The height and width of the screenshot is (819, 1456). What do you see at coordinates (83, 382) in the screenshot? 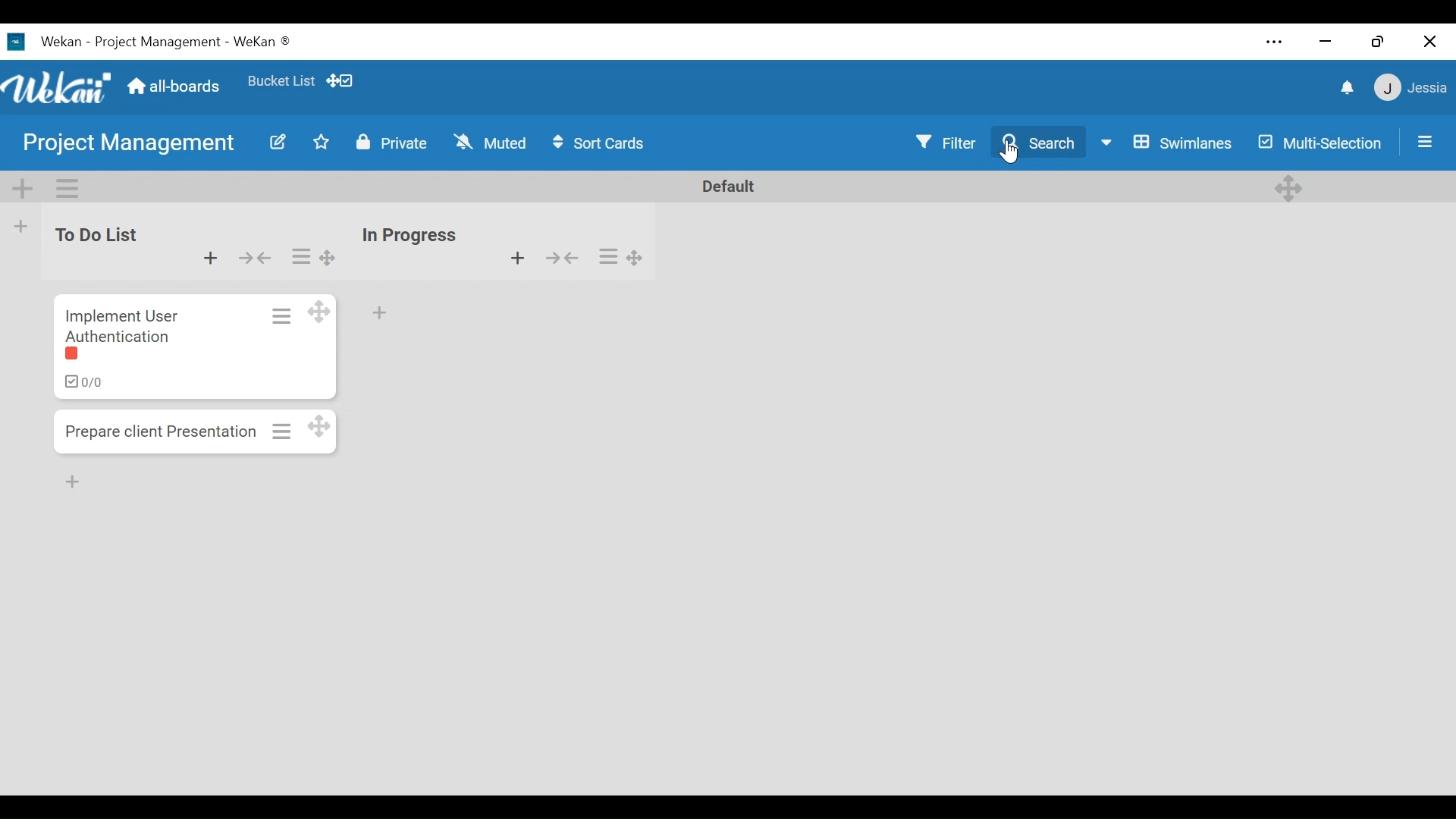
I see `ckecklist` at bounding box center [83, 382].